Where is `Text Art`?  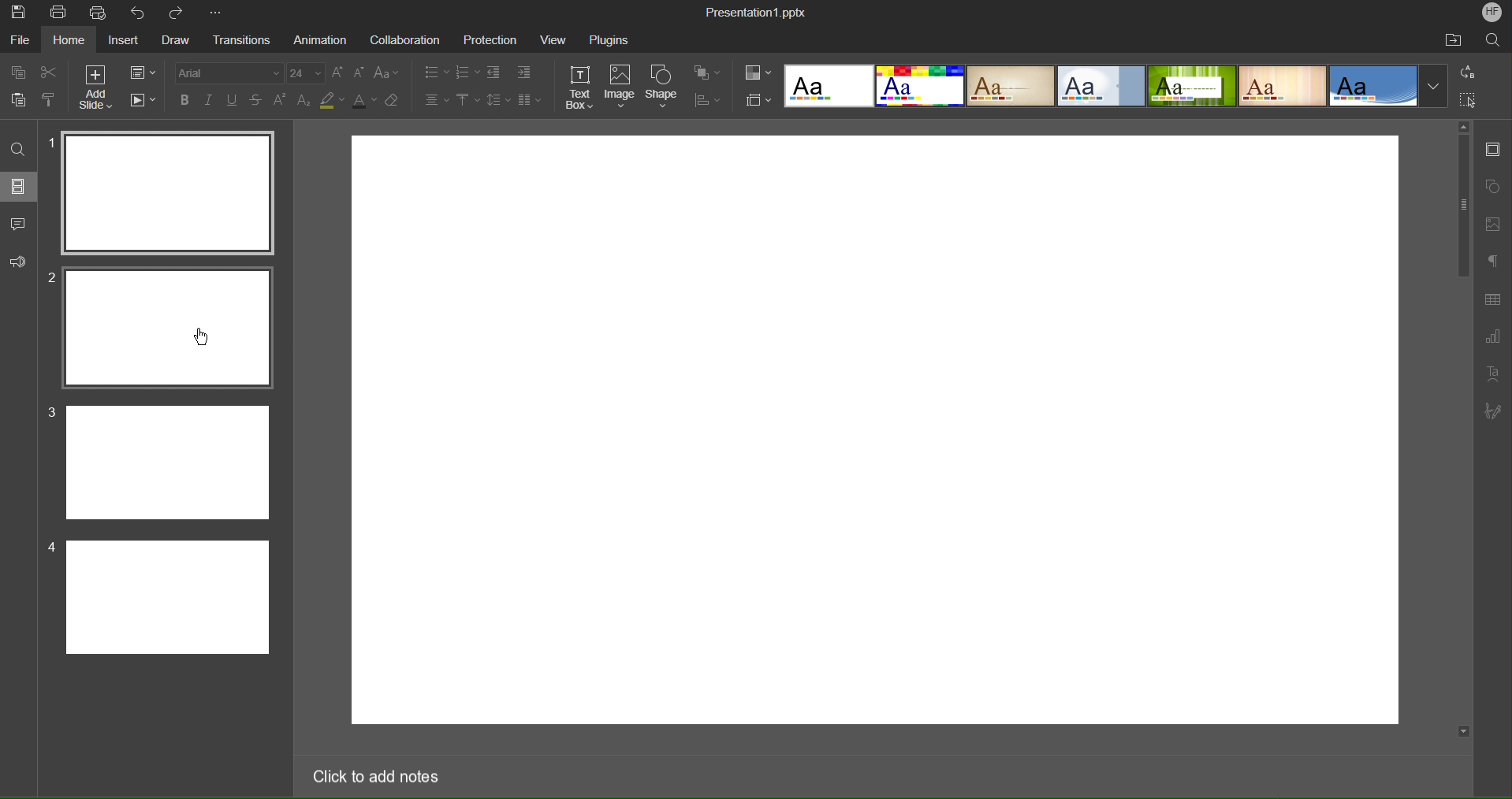 Text Art is located at coordinates (1492, 373).